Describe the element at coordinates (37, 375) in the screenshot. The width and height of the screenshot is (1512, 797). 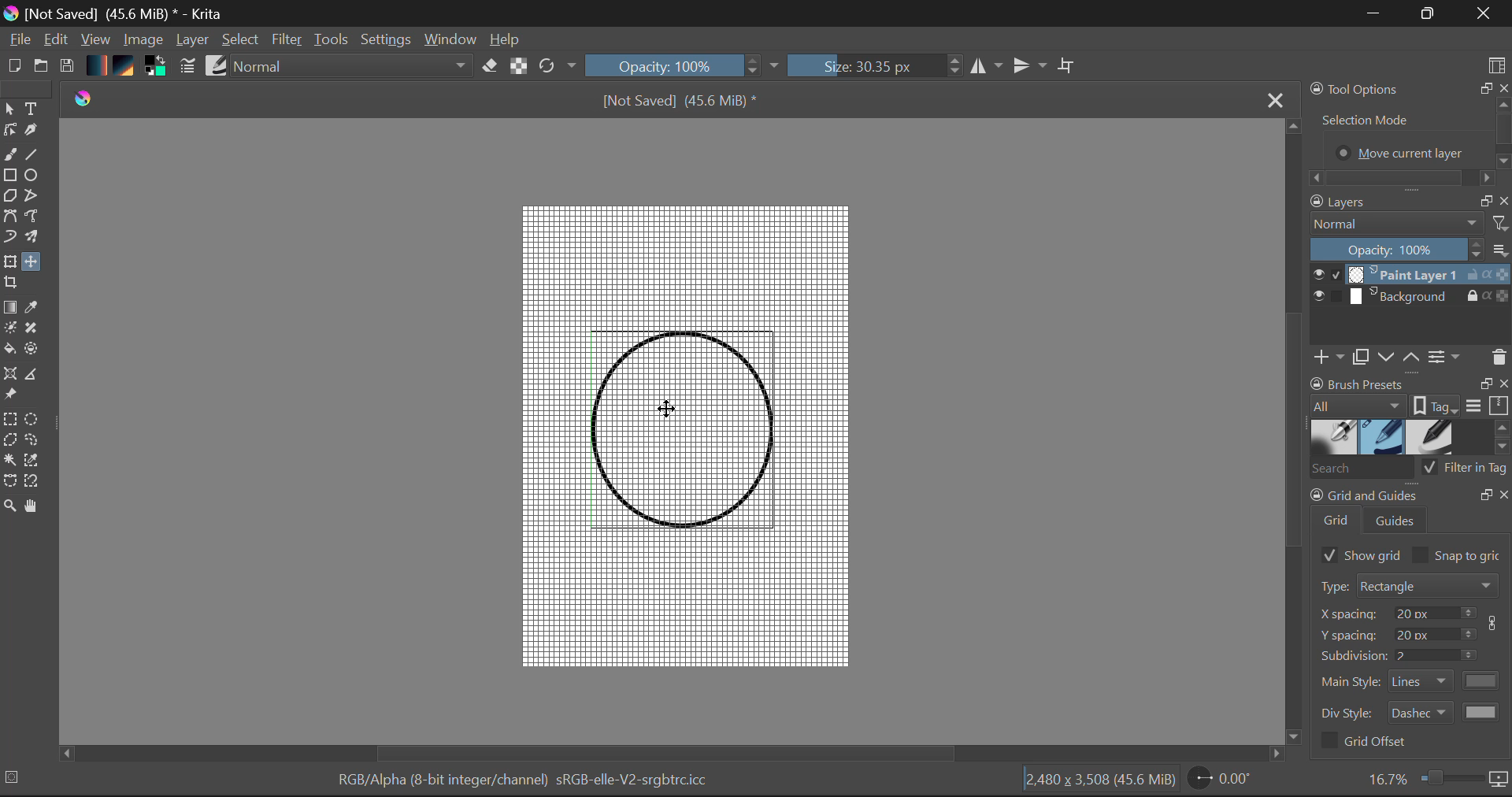
I see `Measurements` at that location.